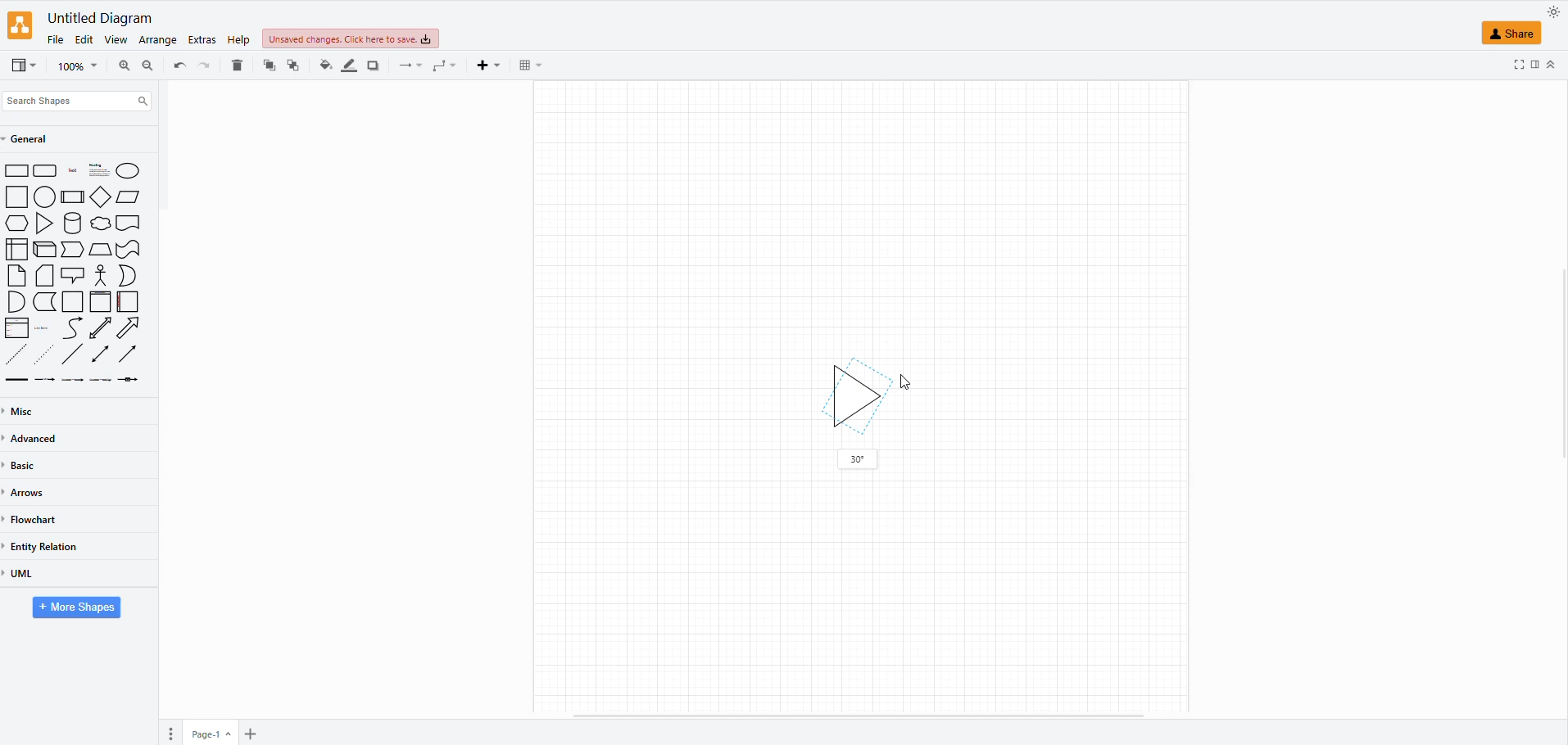 The width and height of the screenshot is (1568, 745). I want to click on Triangle, so click(47, 223).